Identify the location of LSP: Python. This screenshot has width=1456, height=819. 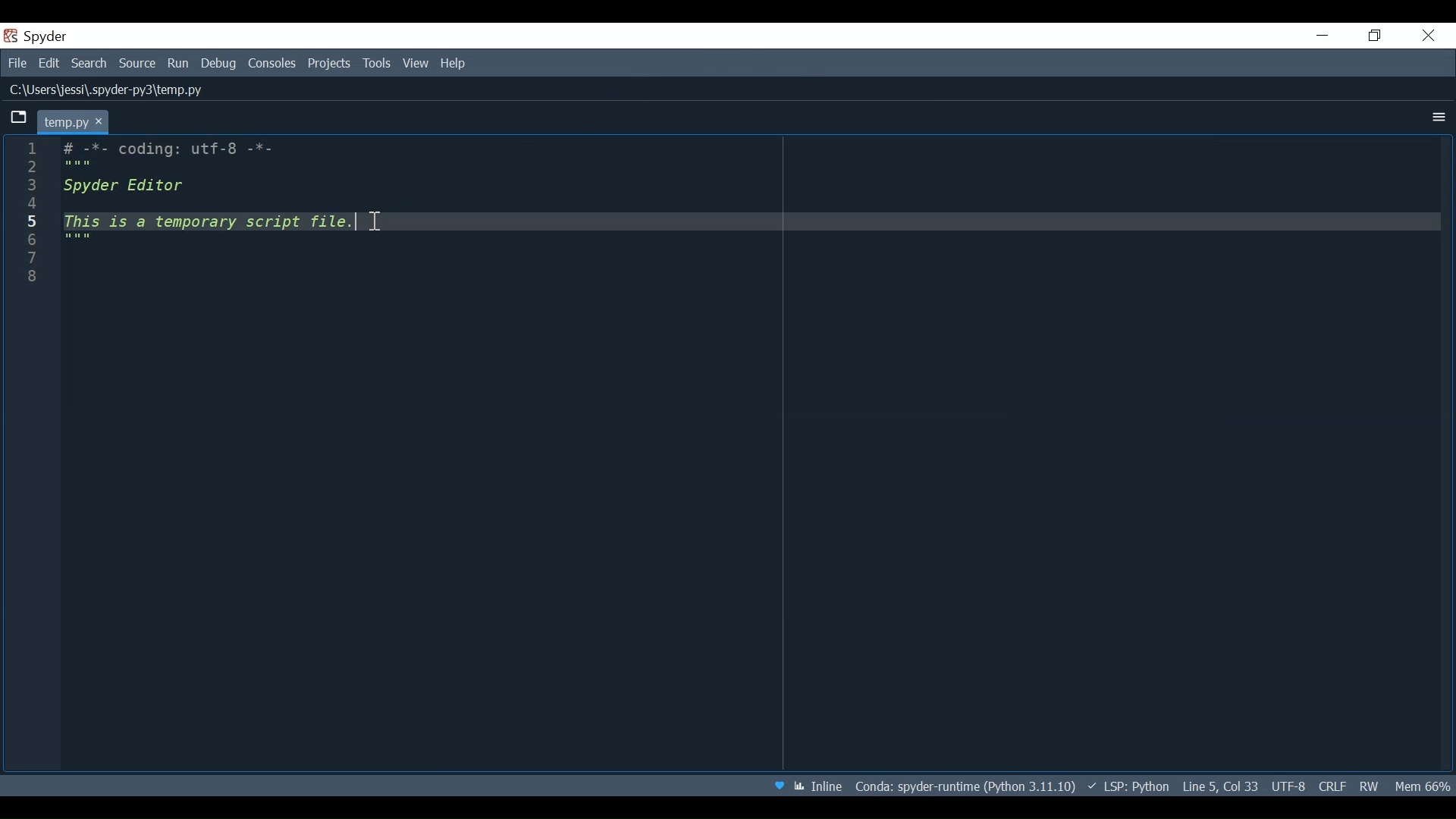
(1129, 786).